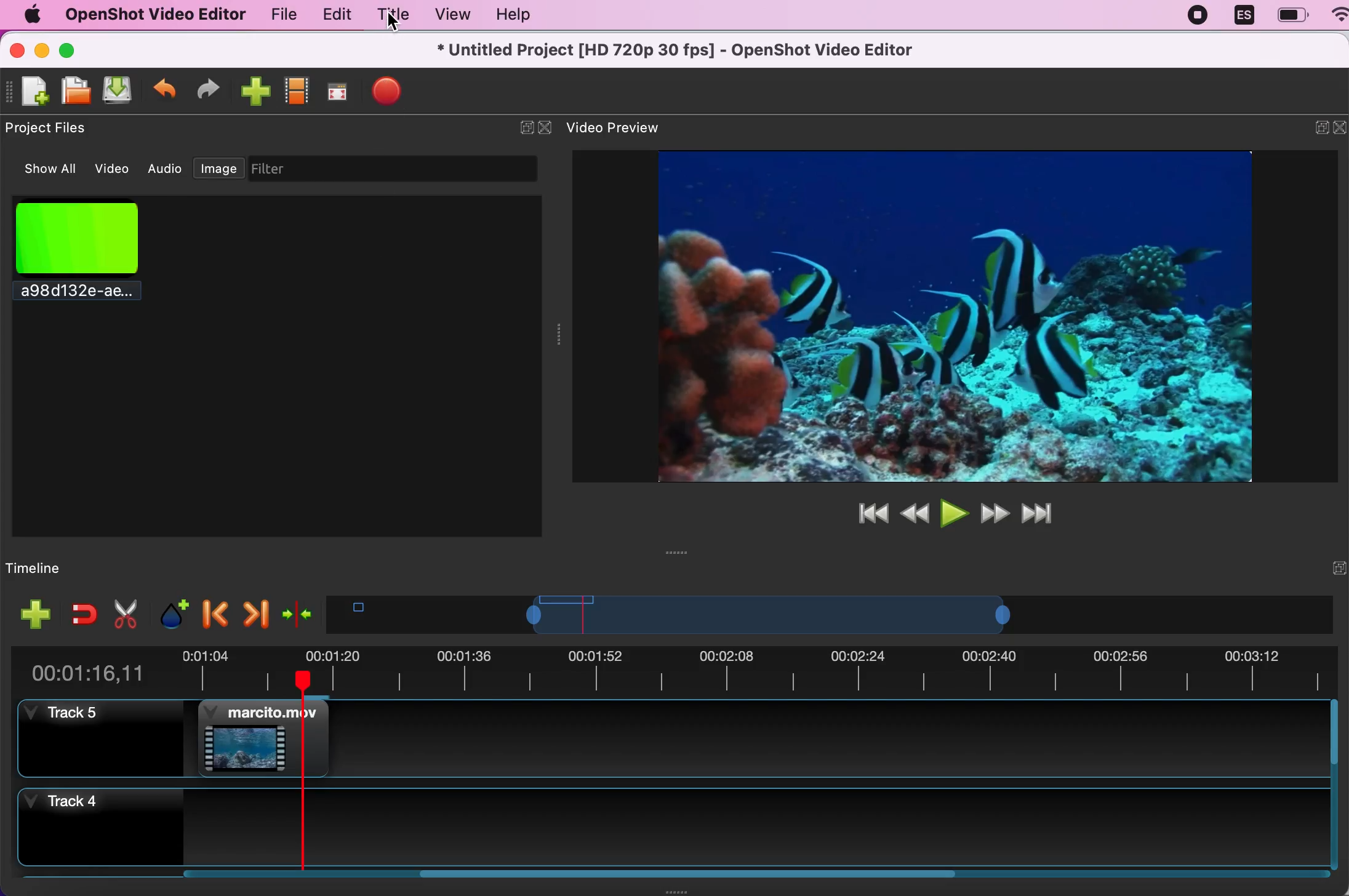 Image resolution: width=1349 pixels, height=896 pixels. What do you see at coordinates (953, 511) in the screenshot?
I see `play` at bounding box center [953, 511].